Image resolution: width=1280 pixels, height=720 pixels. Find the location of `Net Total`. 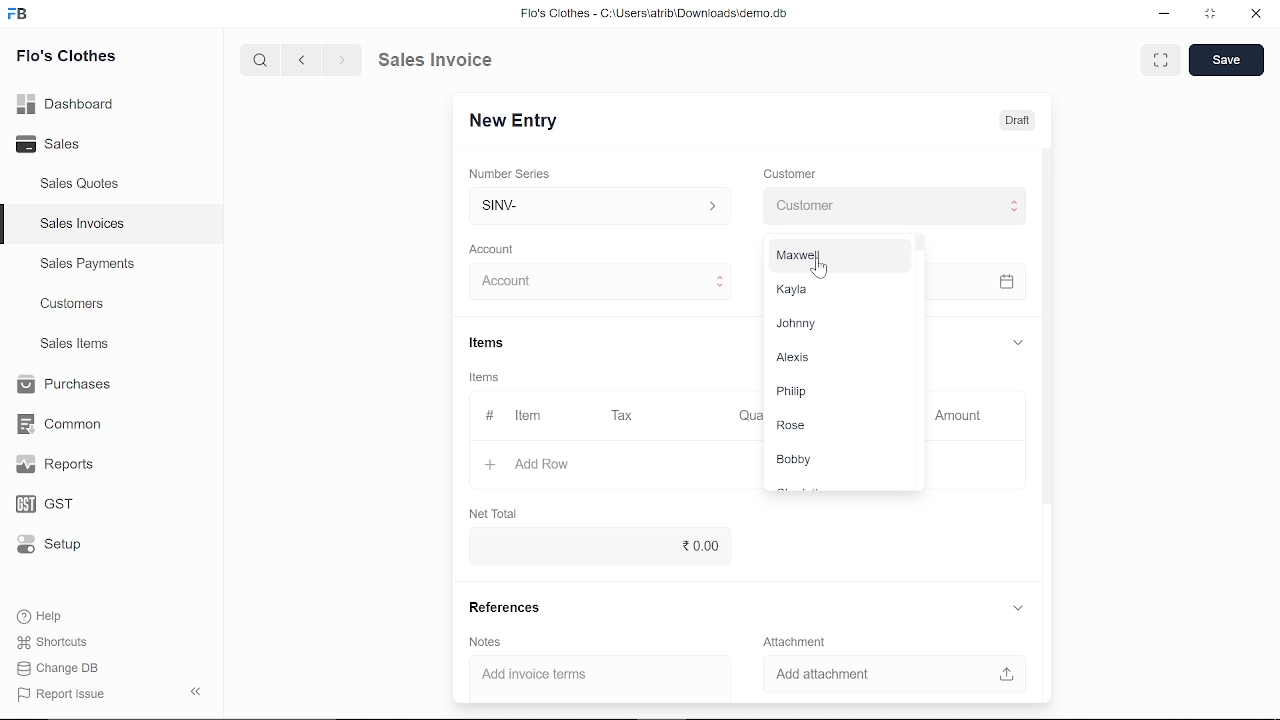

Net Total is located at coordinates (496, 511).